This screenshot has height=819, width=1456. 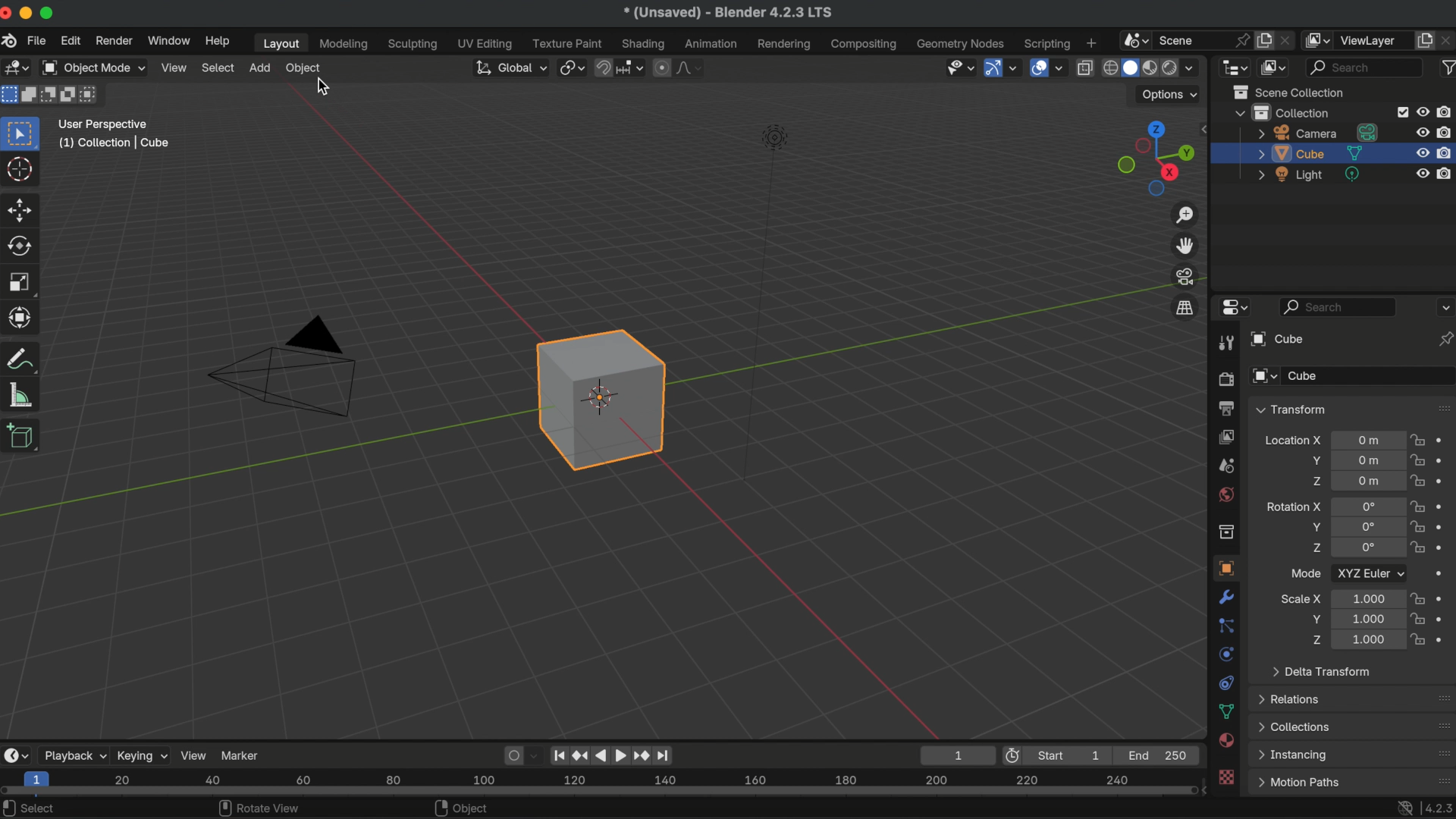 I want to click on edit, so click(x=71, y=42).